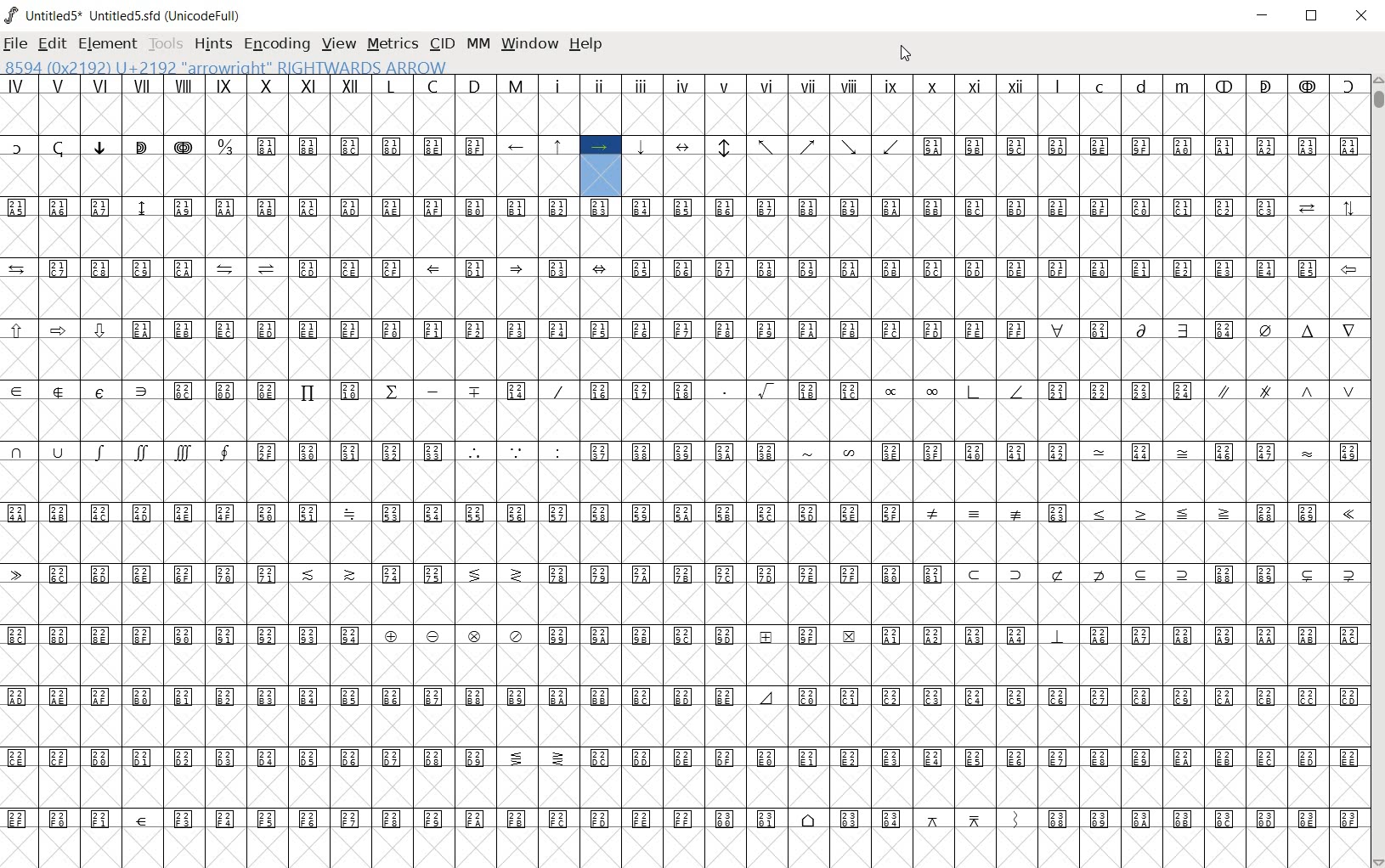 This screenshot has width=1385, height=868. I want to click on SCROLLBAR, so click(1377, 471).